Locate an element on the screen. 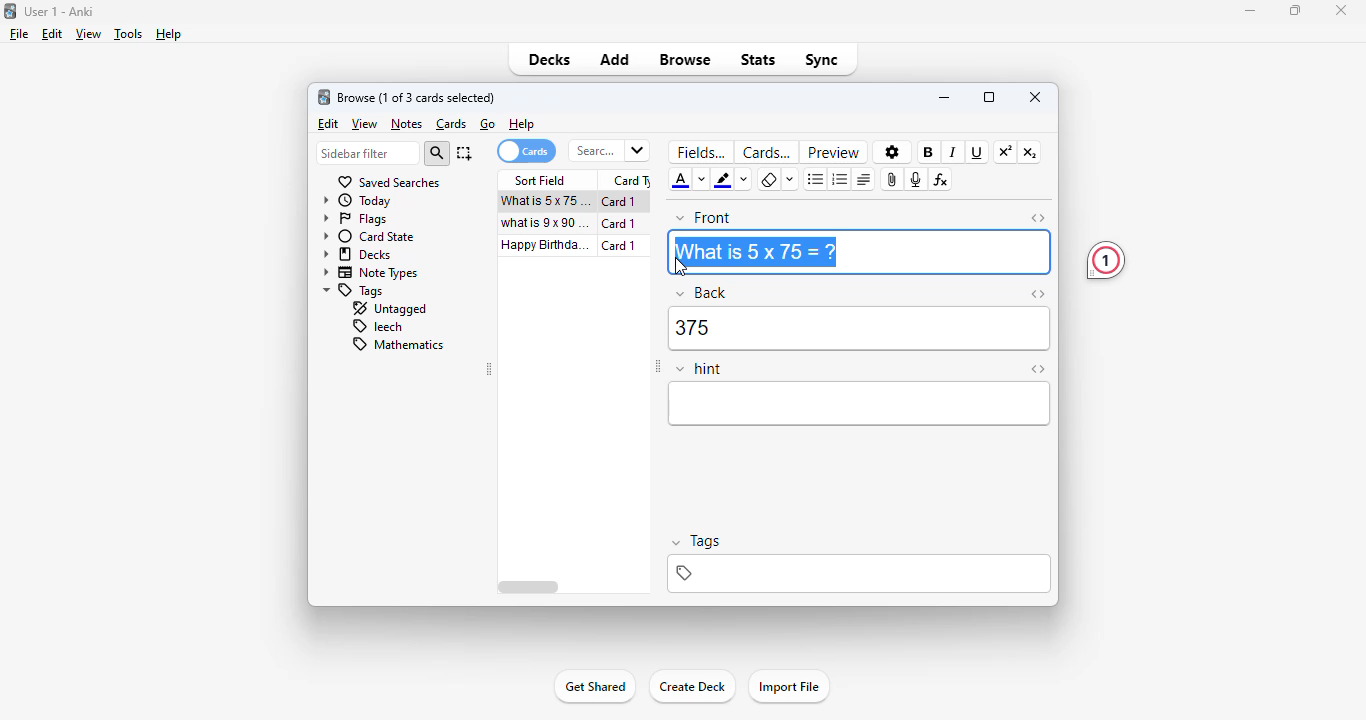 The width and height of the screenshot is (1366, 720). card 1 is located at coordinates (620, 224).